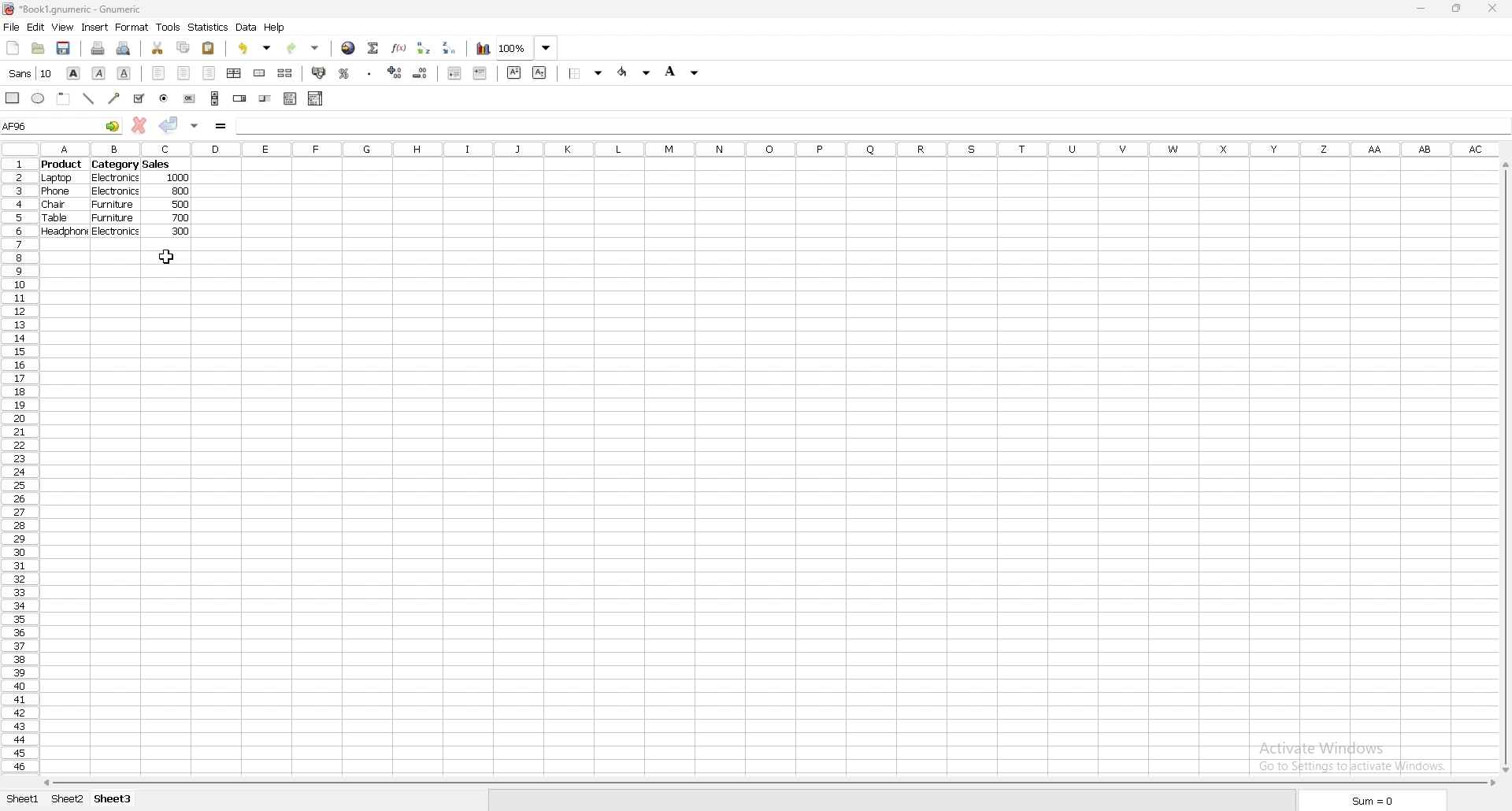 This screenshot has width=1512, height=811. I want to click on right align, so click(209, 73).